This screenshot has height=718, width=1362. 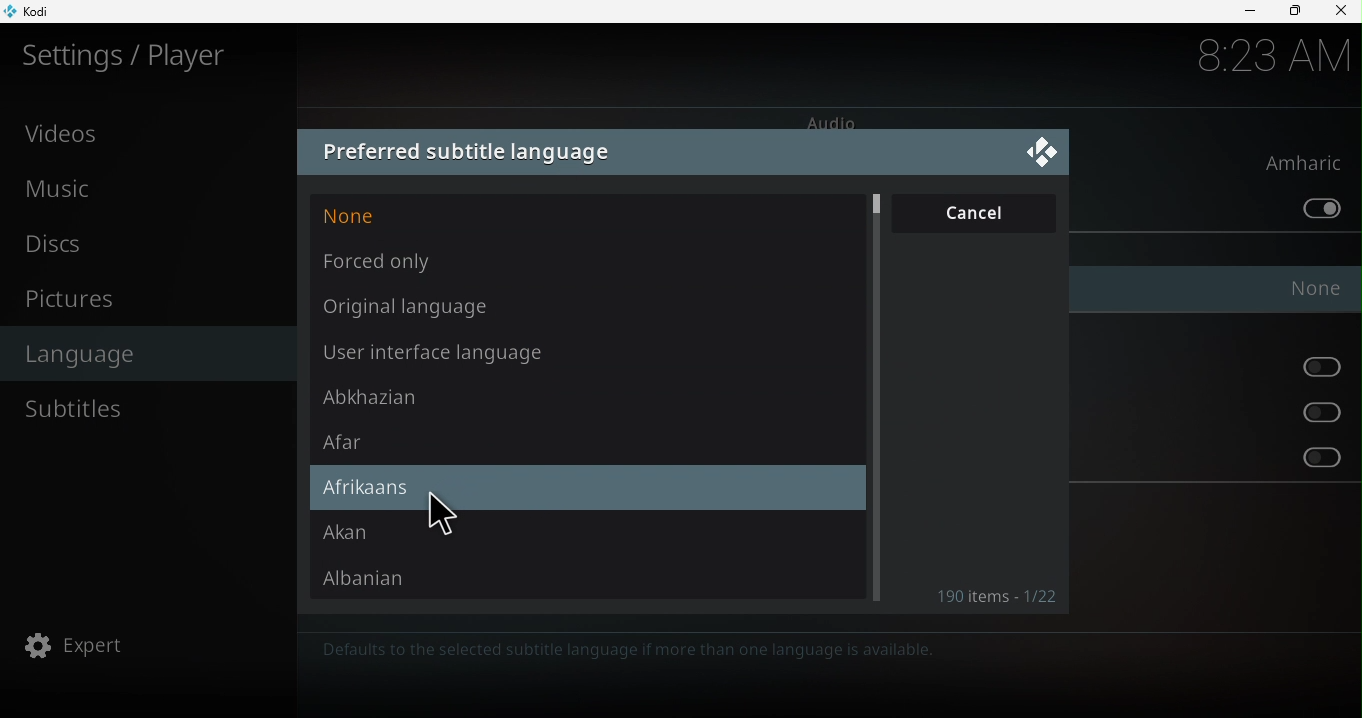 I want to click on Items, so click(x=1002, y=599).